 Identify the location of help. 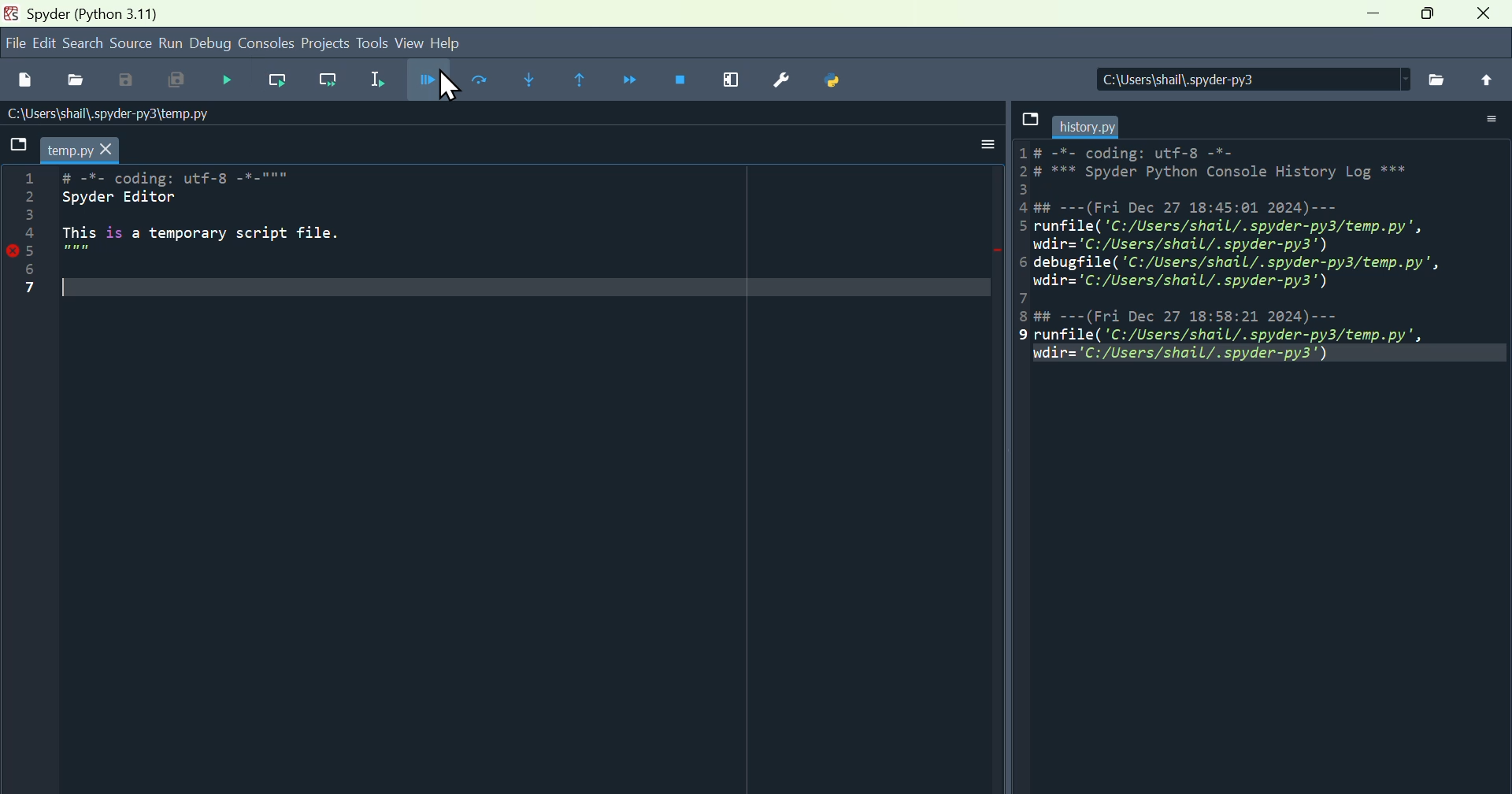
(449, 42).